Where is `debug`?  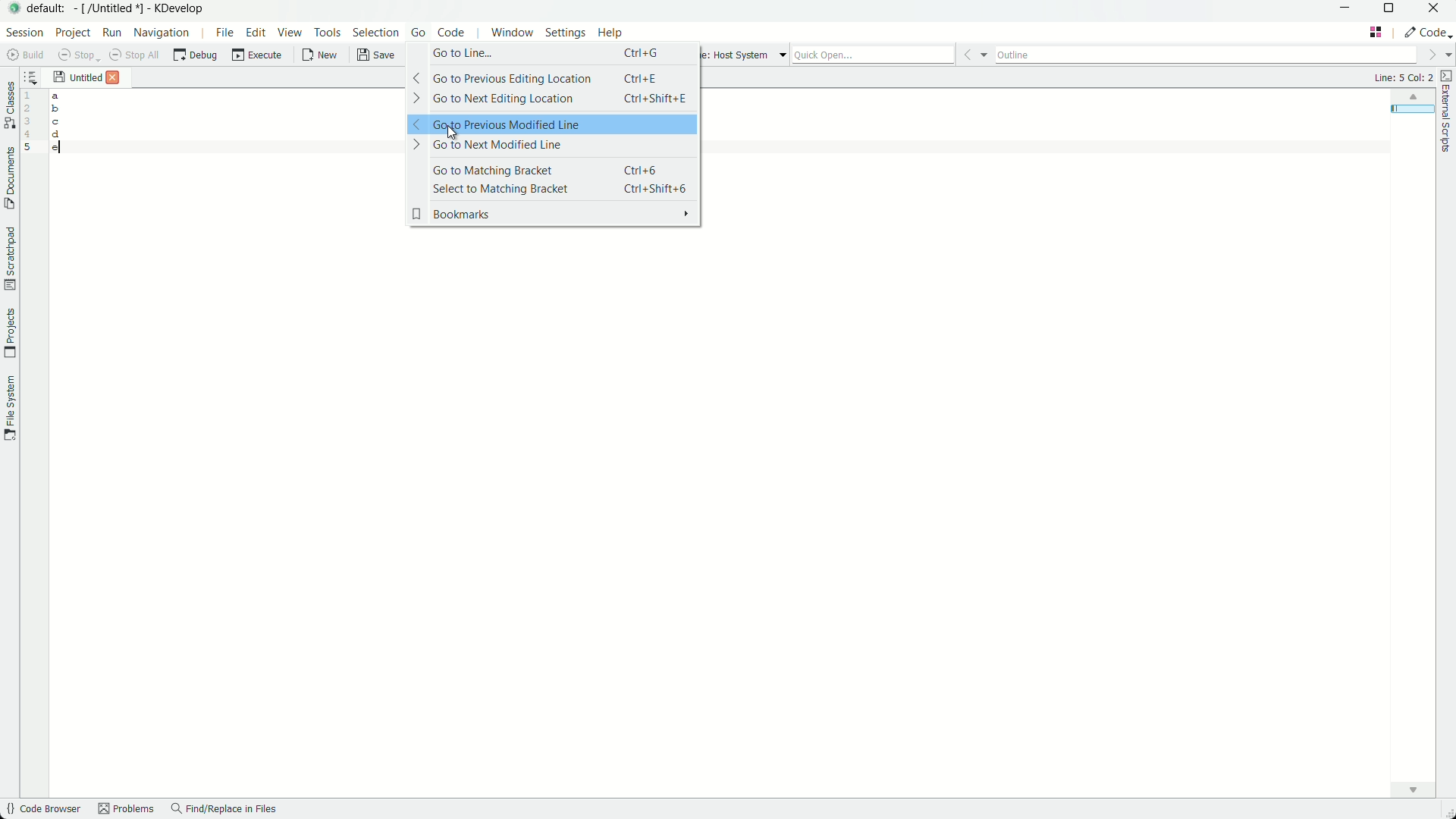
debug is located at coordinates (197, 57).